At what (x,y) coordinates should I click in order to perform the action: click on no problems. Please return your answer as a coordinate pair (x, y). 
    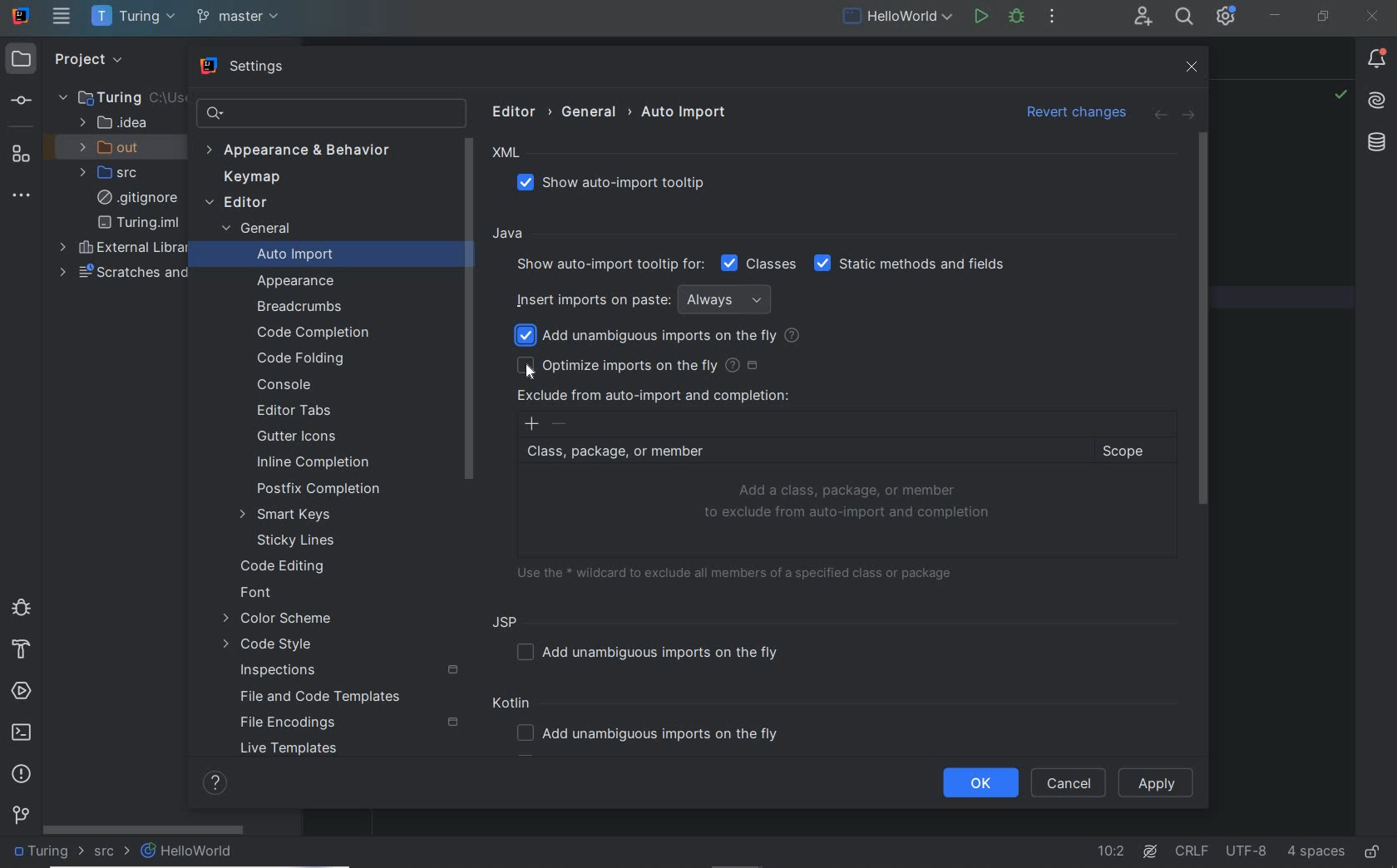
    Looking at the image, I should click on (1340, 96).